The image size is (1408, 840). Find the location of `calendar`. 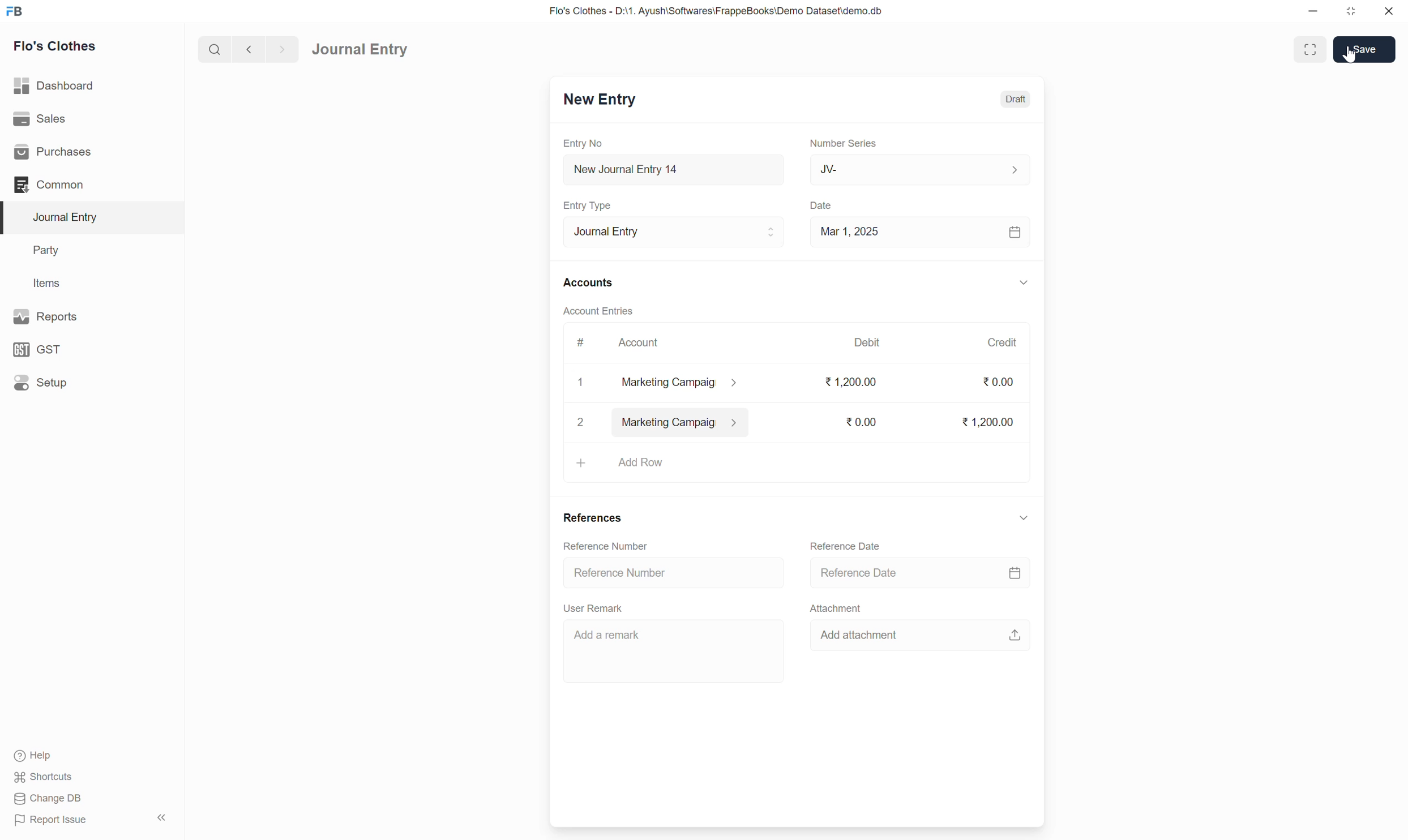

calendar is located at coordinates (1016, 233).